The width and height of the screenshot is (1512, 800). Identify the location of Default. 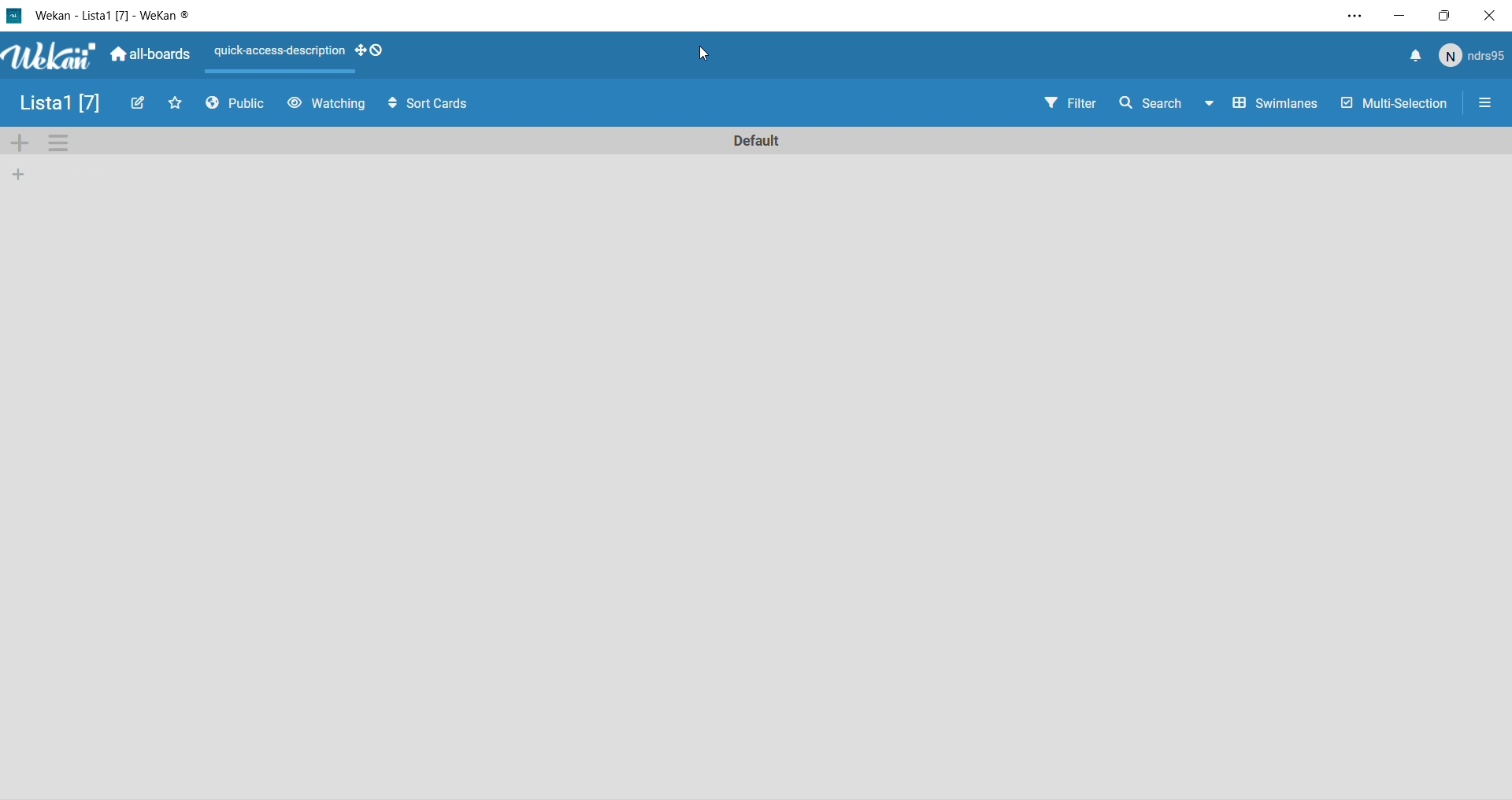
(752, 143).